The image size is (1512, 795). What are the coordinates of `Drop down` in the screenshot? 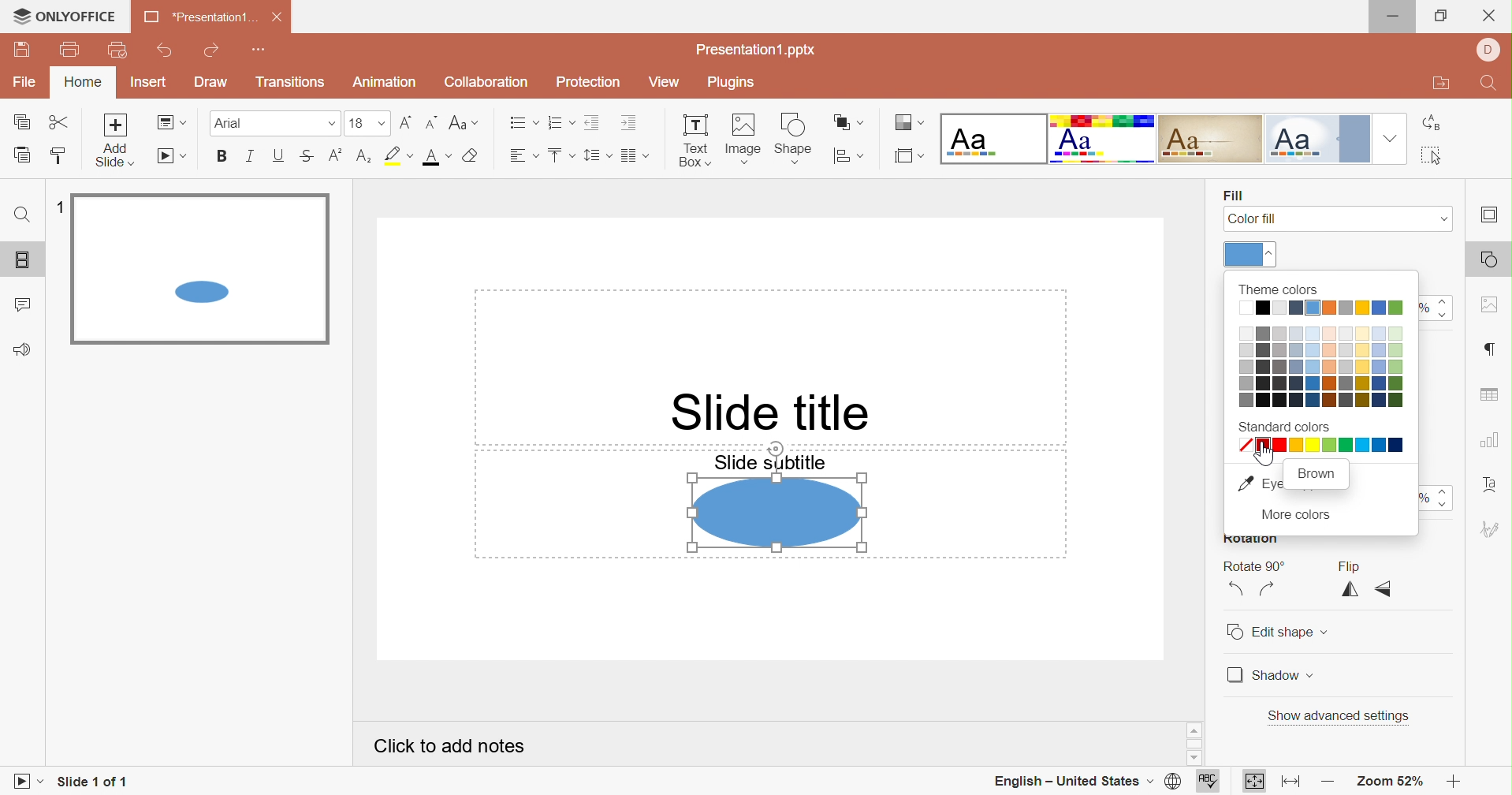 It's located at (1391, 139).